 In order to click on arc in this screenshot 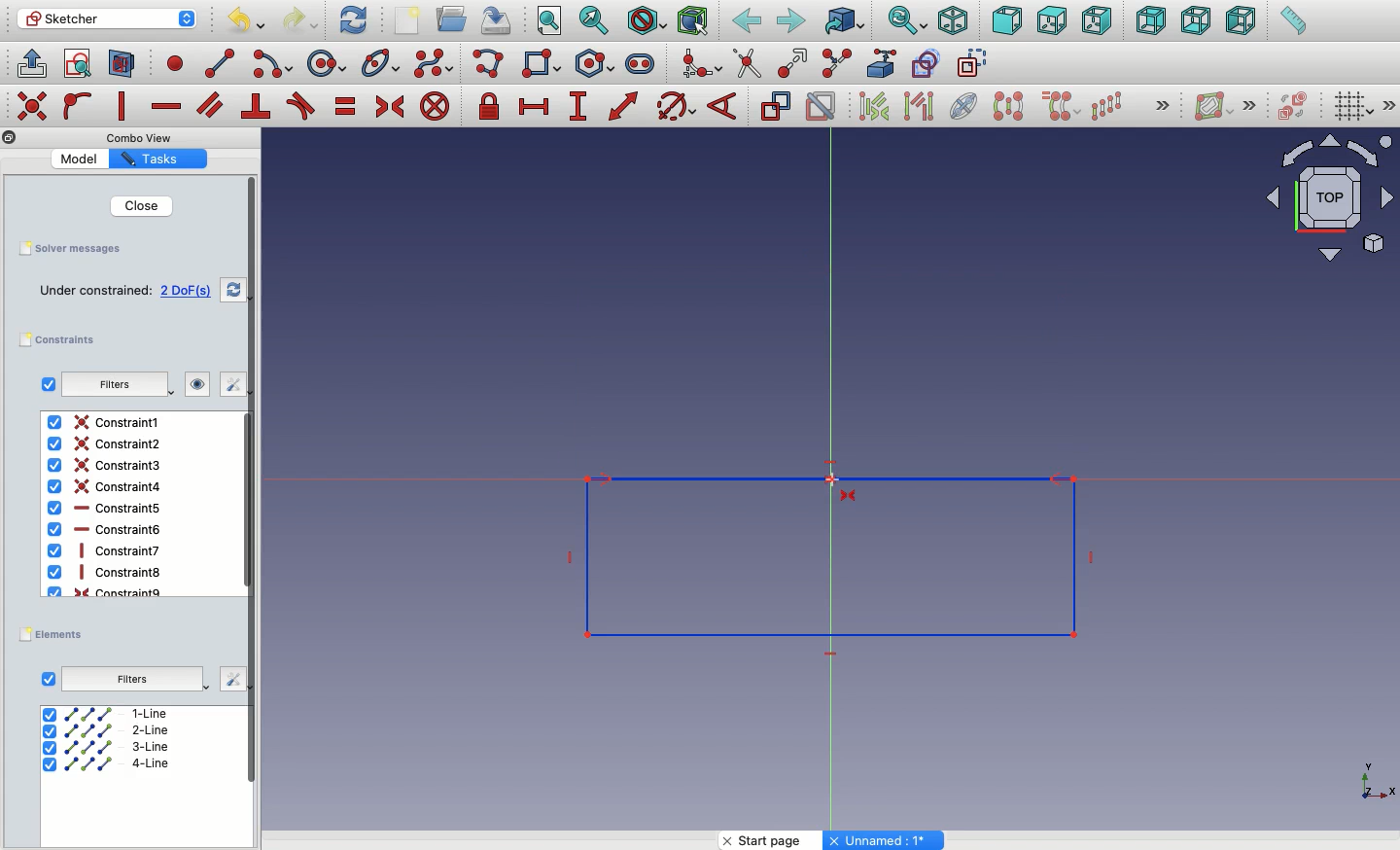, I will do `click(274, 64)`.